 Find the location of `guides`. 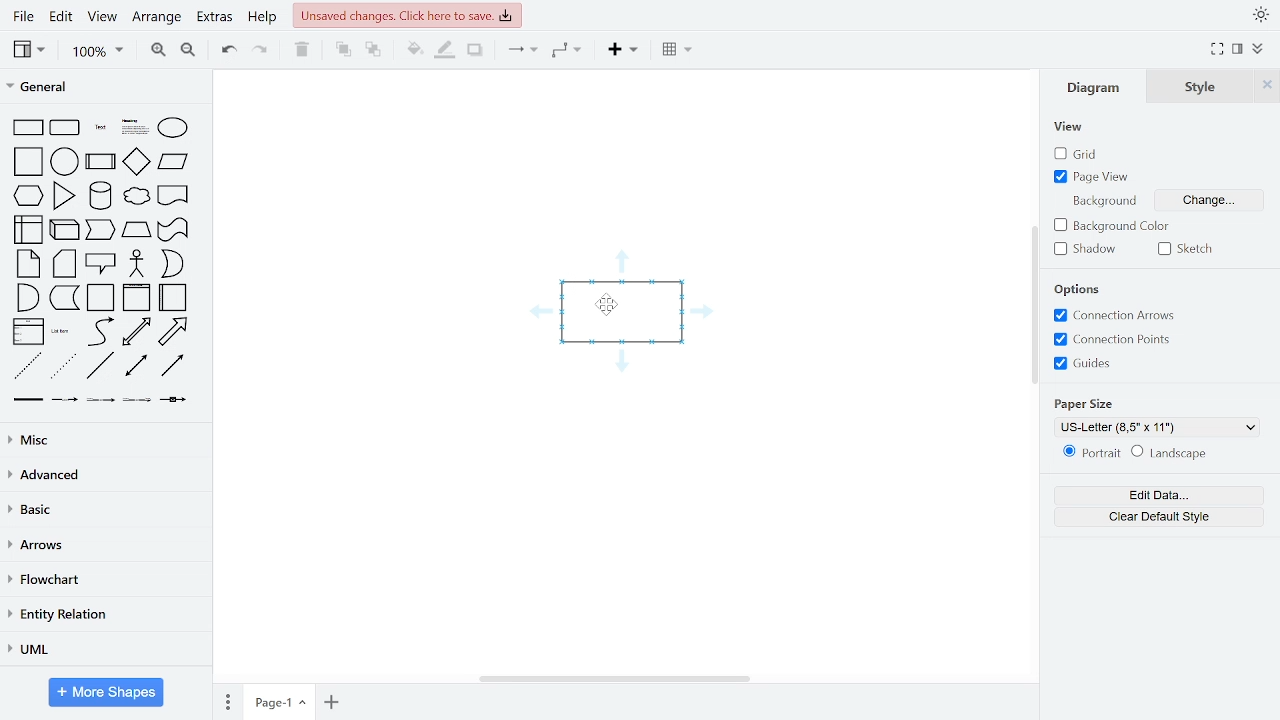

guides is located at coordinates (1086, 363).